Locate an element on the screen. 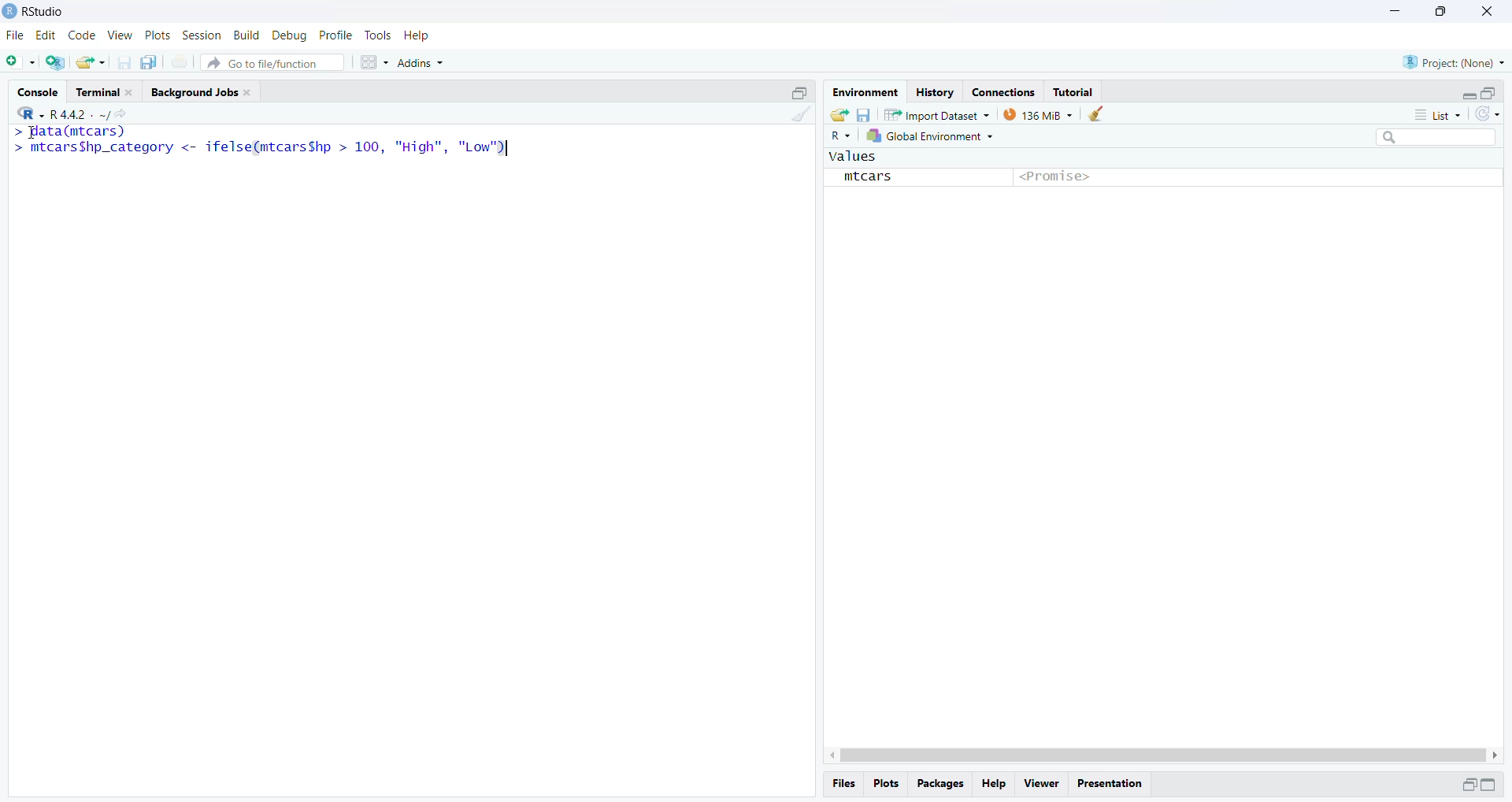 The height and width of the screenshot is (802, 1512). Profile is located at coordinates (336, 35).